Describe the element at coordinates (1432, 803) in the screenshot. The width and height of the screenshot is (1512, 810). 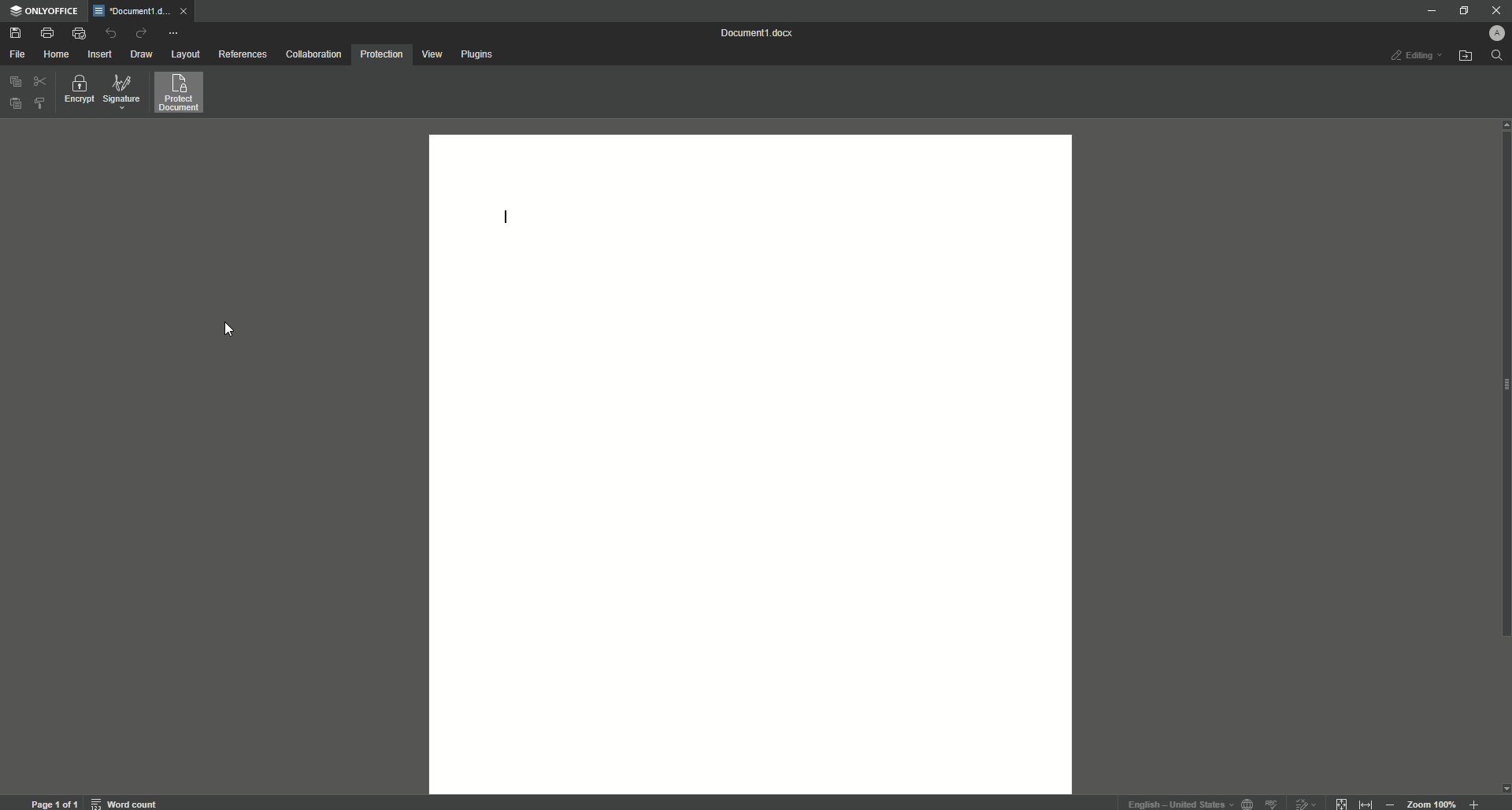
I see `zoom` at that location.